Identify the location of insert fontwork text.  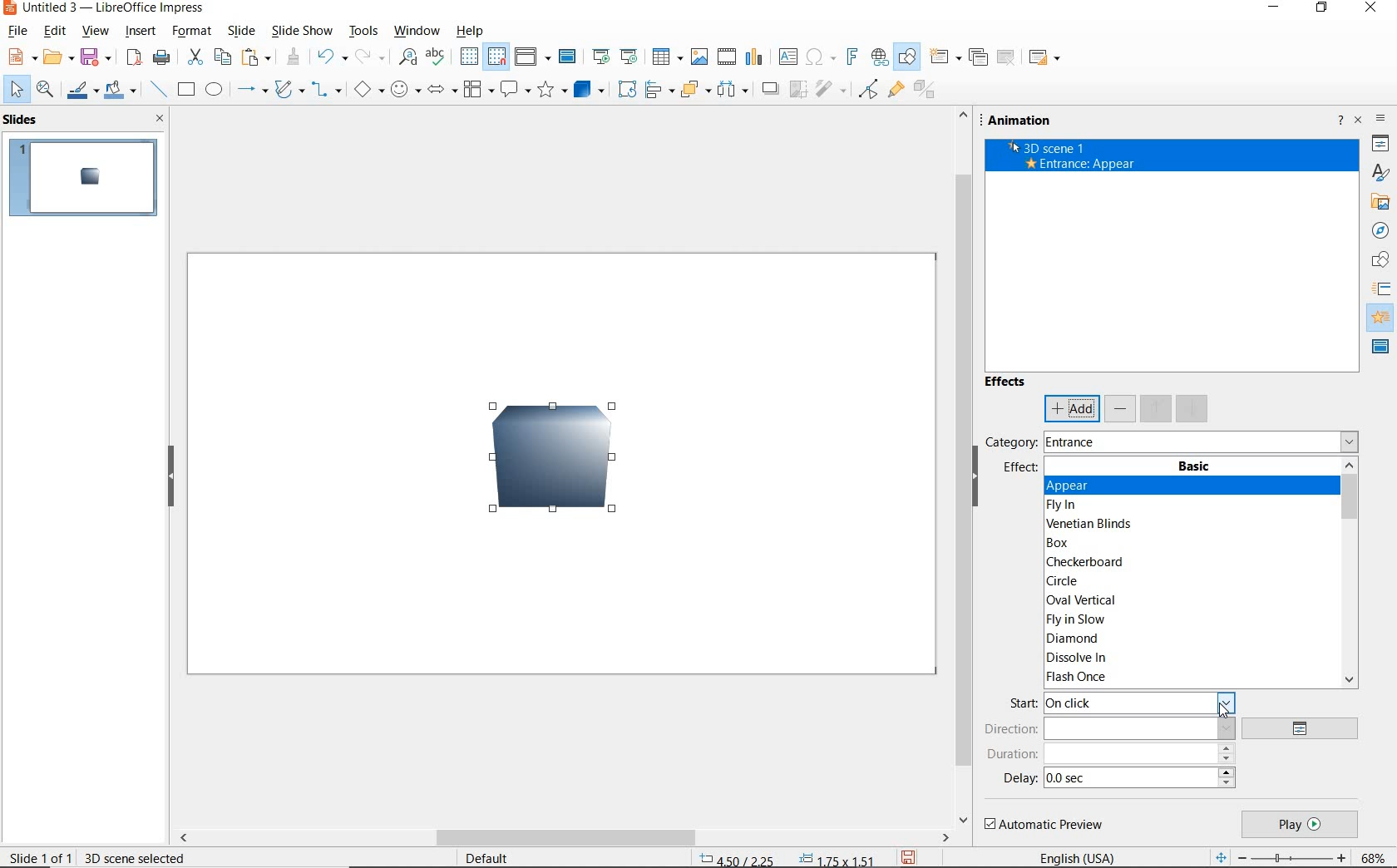
(851, 57).